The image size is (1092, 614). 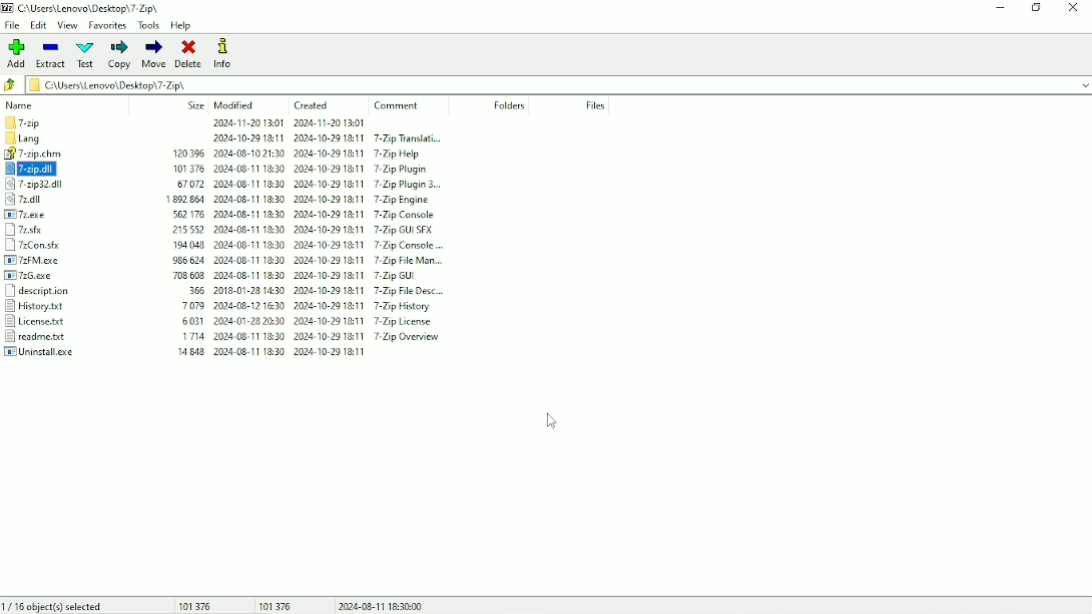 I want to click on Move, so click(x=155, y=54).